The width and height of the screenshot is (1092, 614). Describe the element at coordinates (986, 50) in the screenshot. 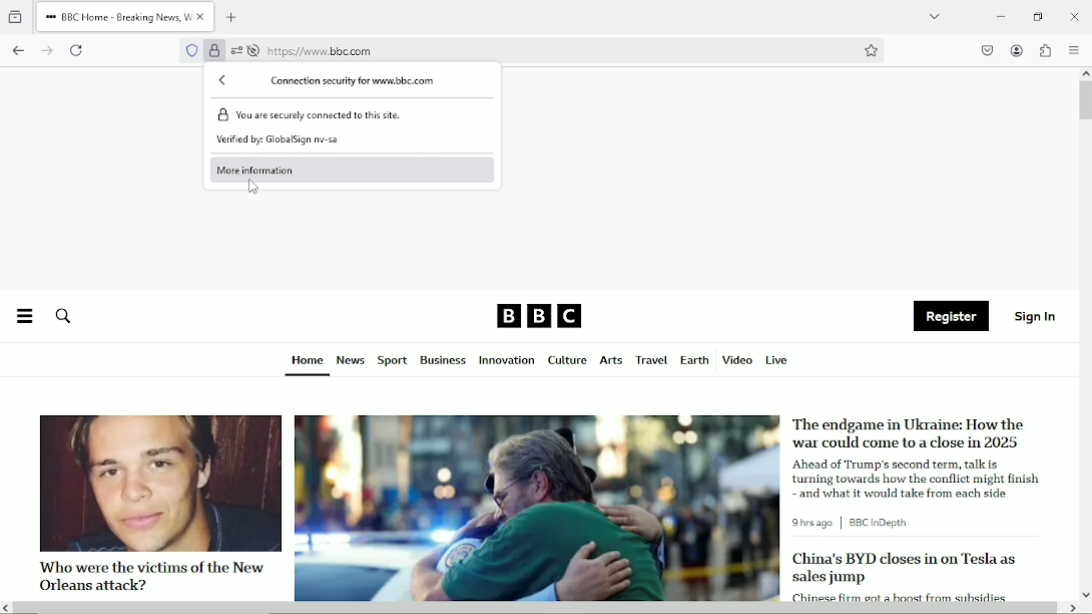

I see `save to pocket` at that location.